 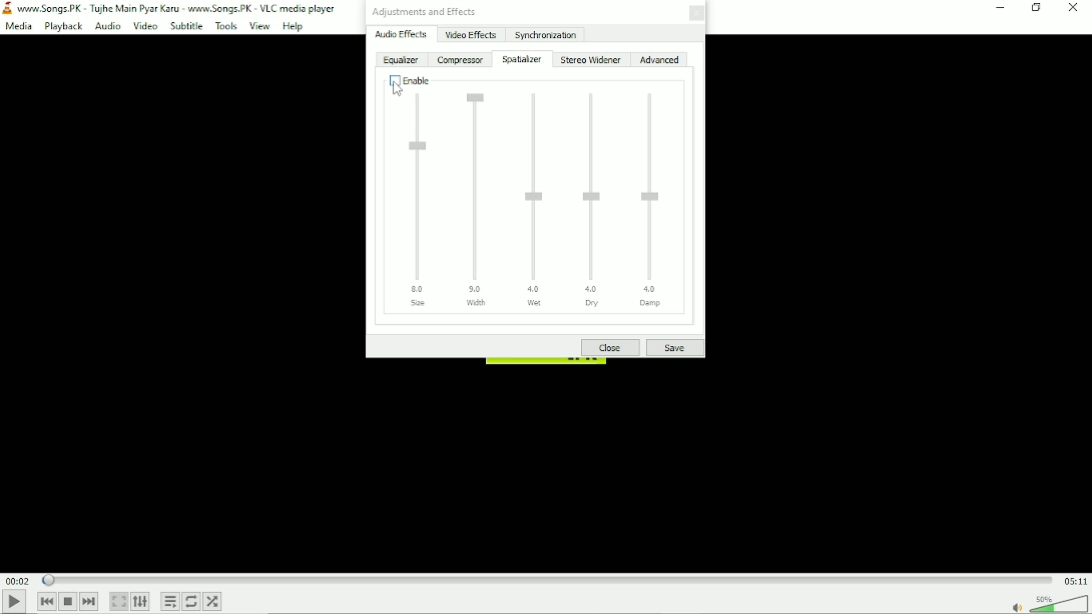 I want to click on Audio effects, so click(x=401, y=35).